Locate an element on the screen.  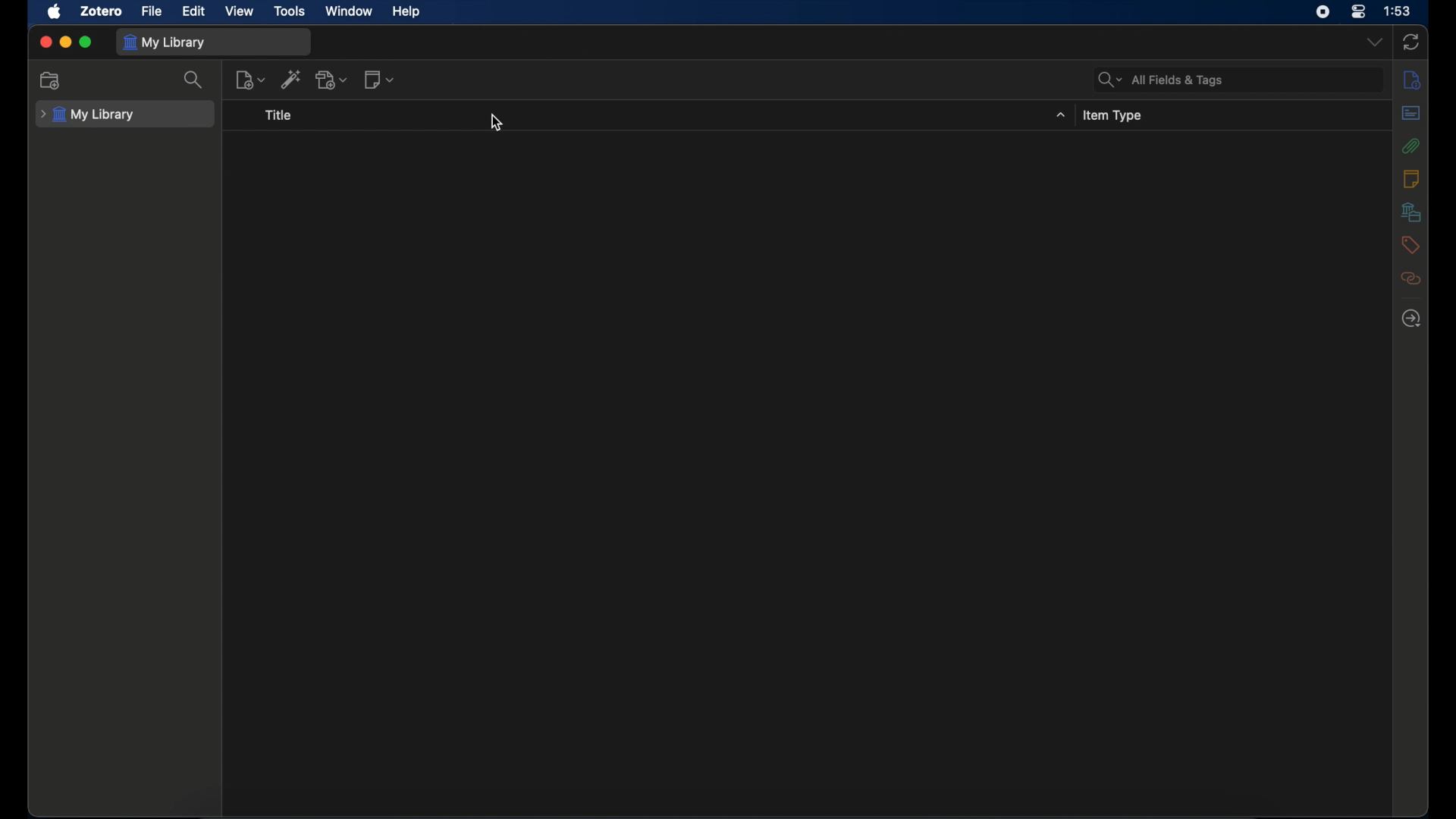
dropdown is located at coordinates (1375, 41).